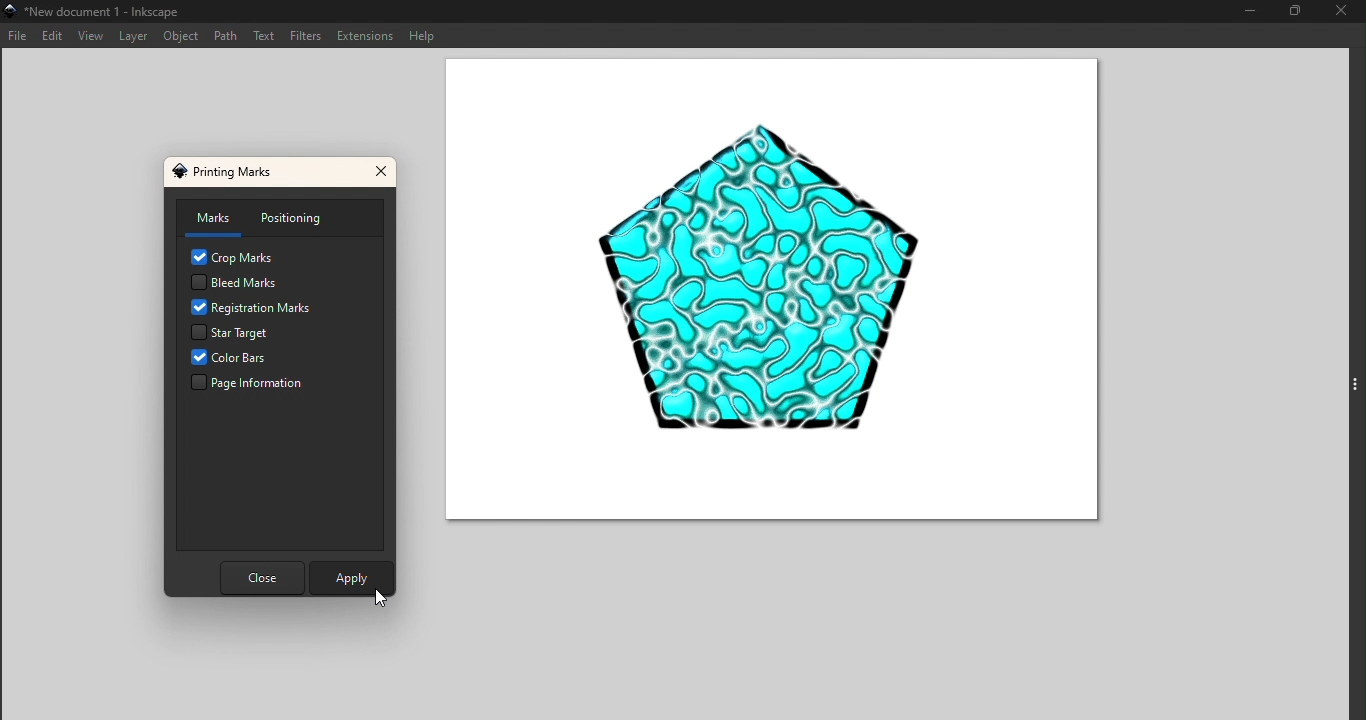 The height and width of the screenshot is (720, 1366). What do you see at coordinates (1339, 13) in the screenshot?
I see `Close` at bounding box center [1339, 13].